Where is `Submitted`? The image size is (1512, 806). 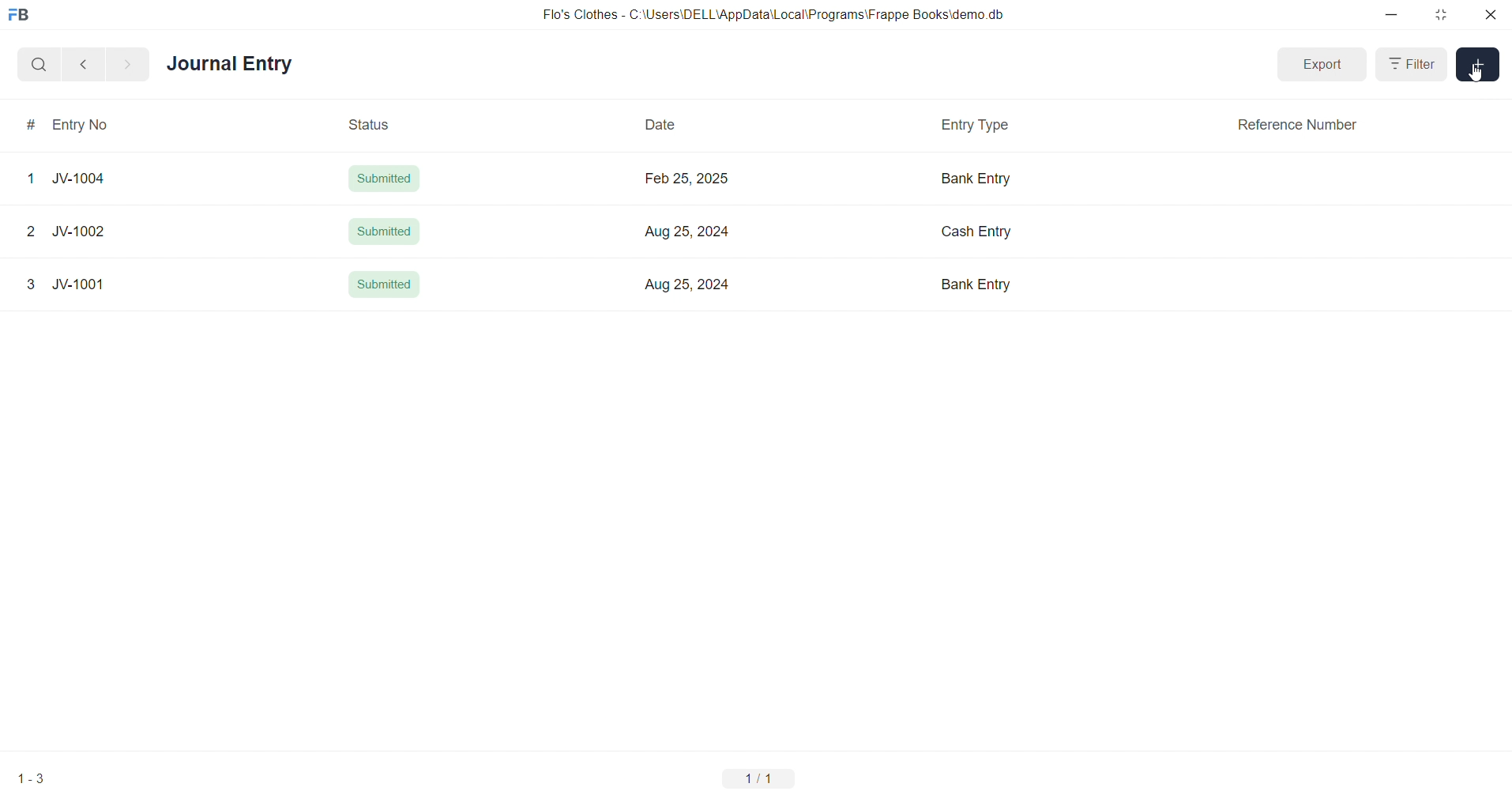
Submitted is located at coordinates (382, 283).